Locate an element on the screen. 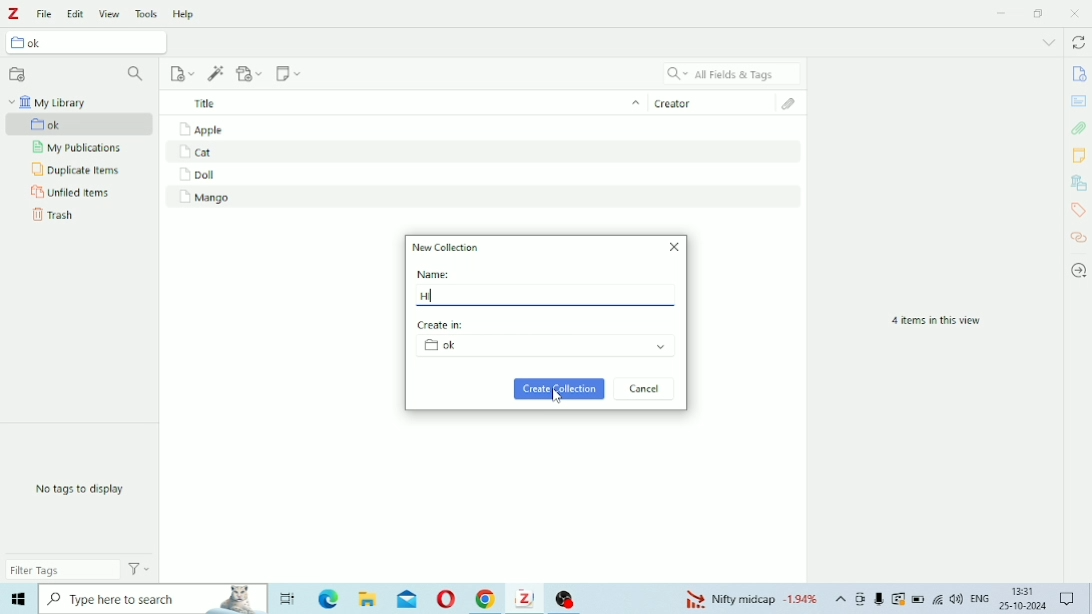 Image resolution: width=1092 pixels, height=614 pixels. Sync is located at coordinates (1078, 42).